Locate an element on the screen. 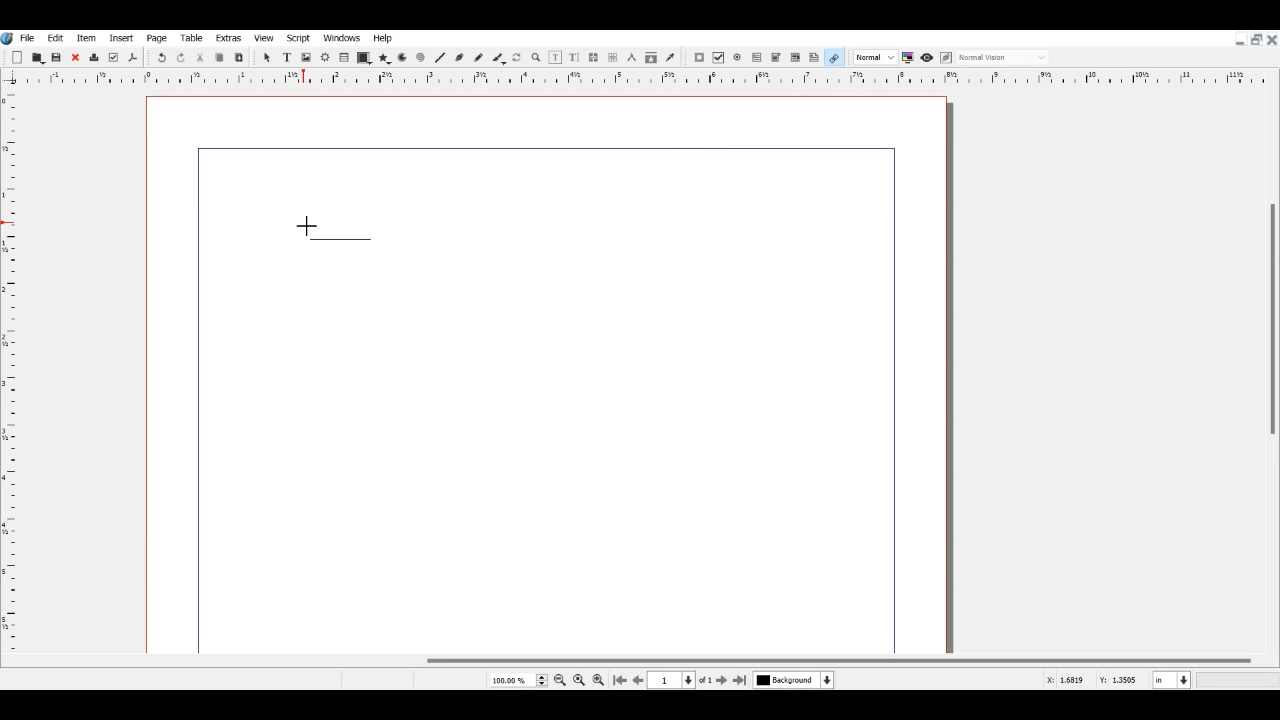  Text Frame is located at coordinates (287, 57).